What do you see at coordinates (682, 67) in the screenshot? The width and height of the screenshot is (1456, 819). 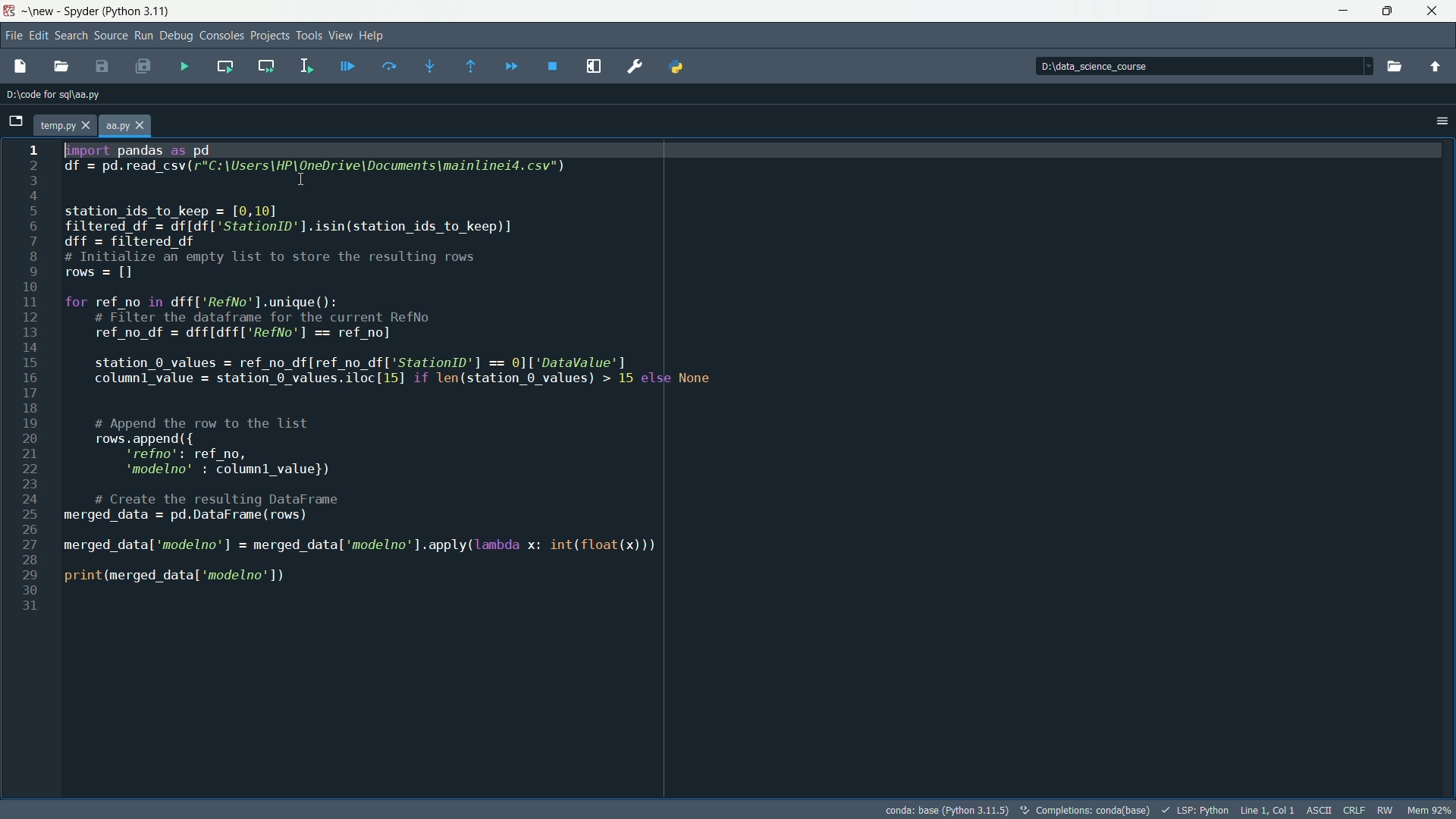 I see `PYTHONPATH manager` at bounding box center [682, 67].